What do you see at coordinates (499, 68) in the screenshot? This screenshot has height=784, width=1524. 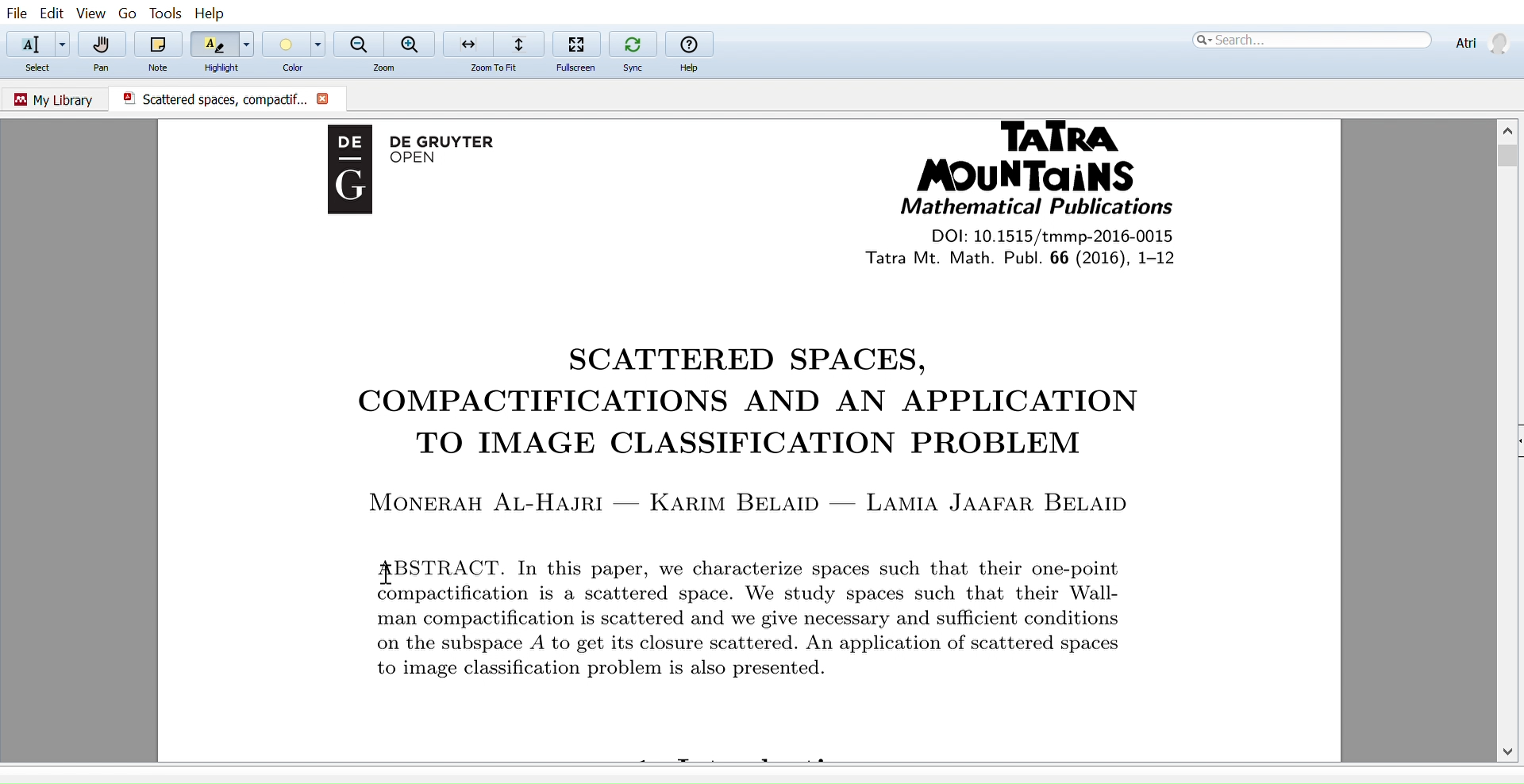 I see `zoom to fit` at bounding box center [499, 68].